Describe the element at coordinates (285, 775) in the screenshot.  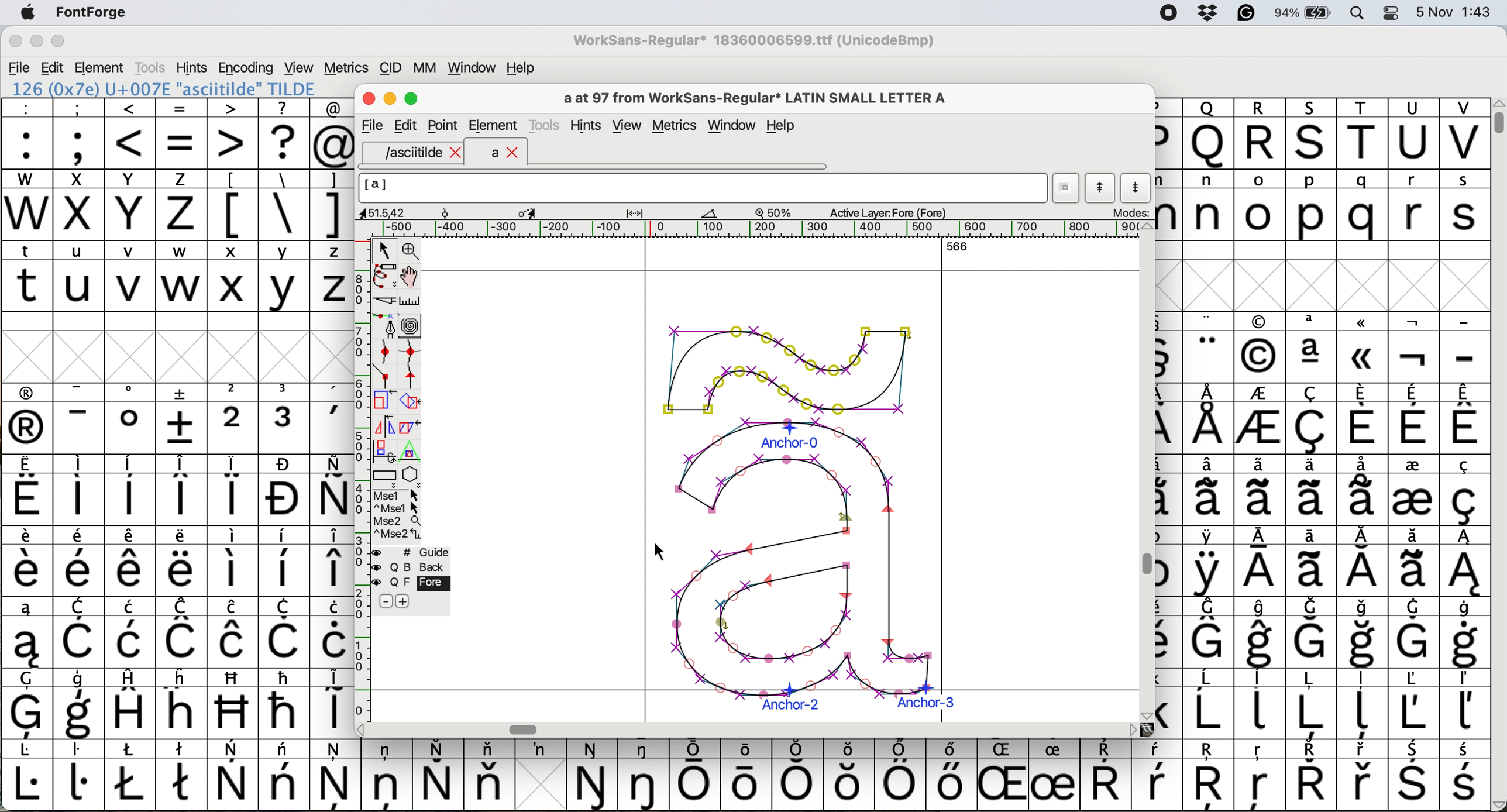
I see `symbol` at that location.